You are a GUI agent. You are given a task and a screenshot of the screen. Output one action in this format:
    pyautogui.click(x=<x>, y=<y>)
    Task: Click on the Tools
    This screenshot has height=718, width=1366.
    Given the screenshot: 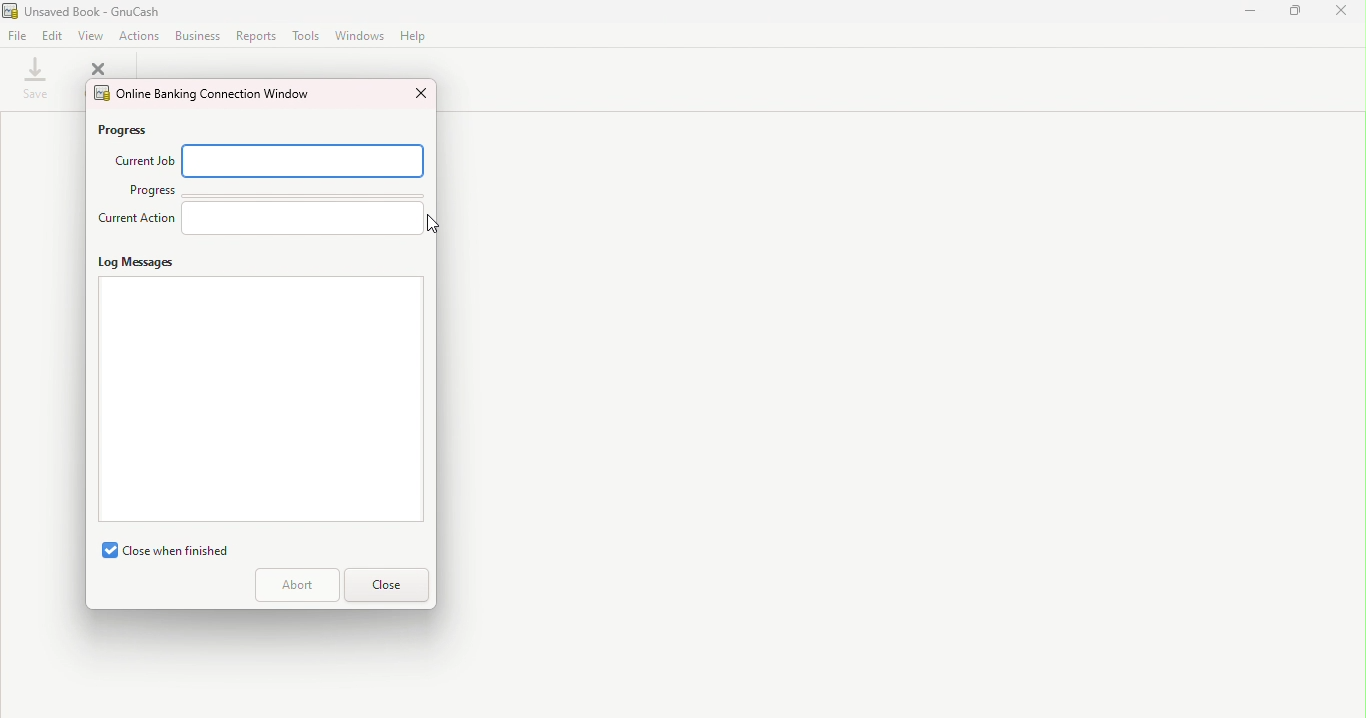 What is the action you would take?
    pyautogui.click(x=303, y=35)
    